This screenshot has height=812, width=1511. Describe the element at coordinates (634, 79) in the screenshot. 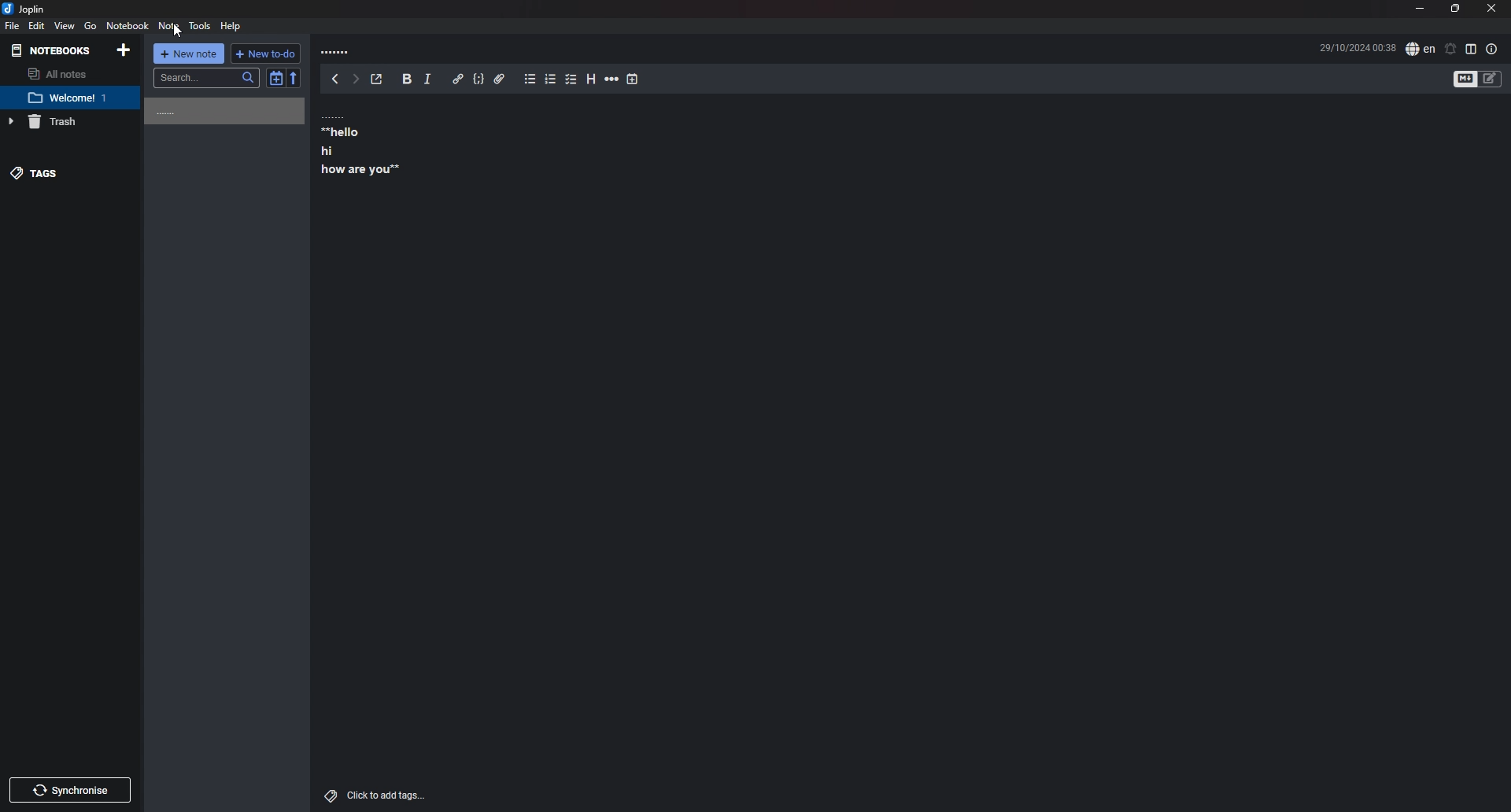

I see `Insert time` at that location.